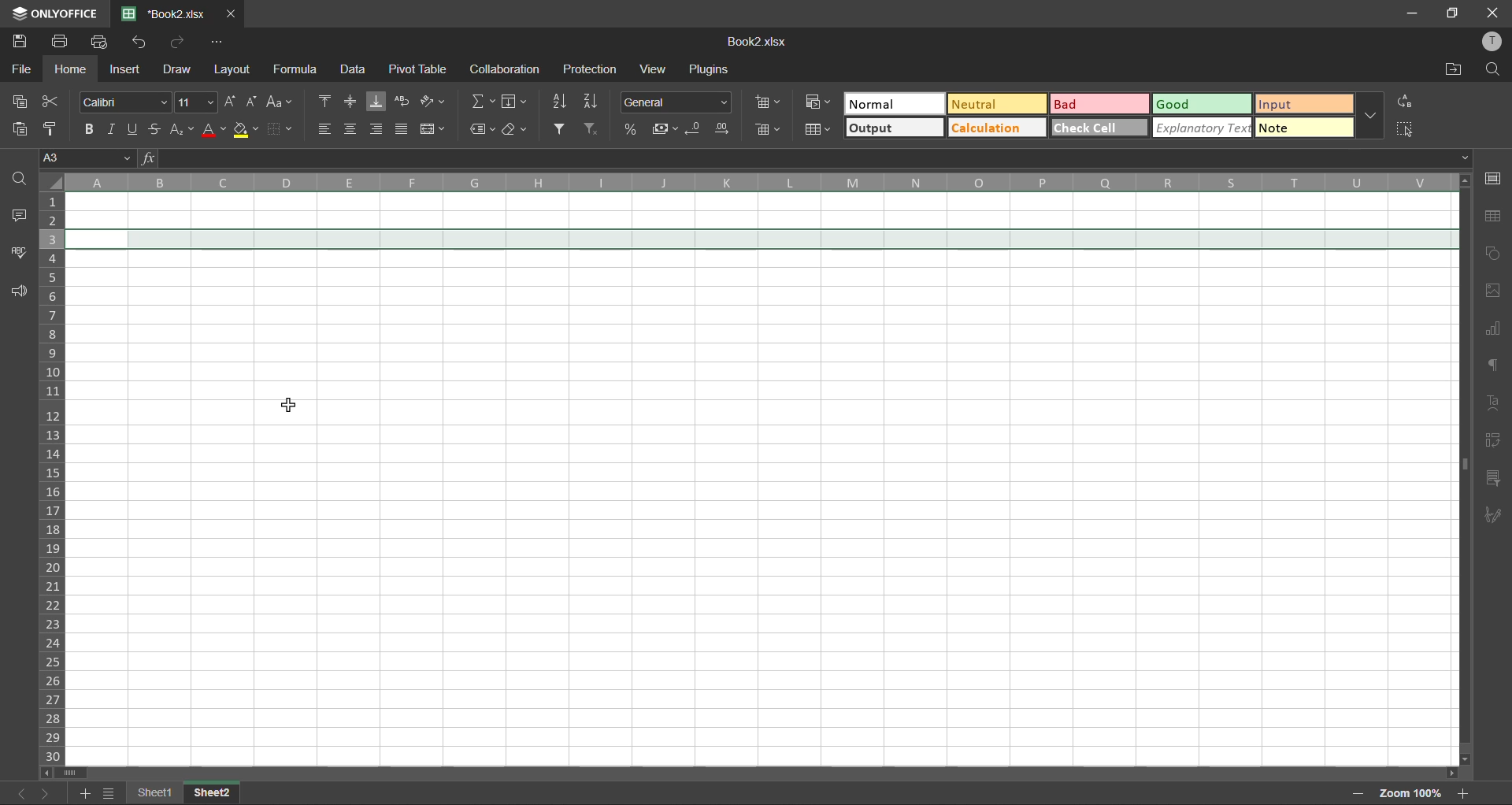  What do you see at coordinates (1450, 69) in the screenshot?
I see `open location` at bounding box center [1450, 69].